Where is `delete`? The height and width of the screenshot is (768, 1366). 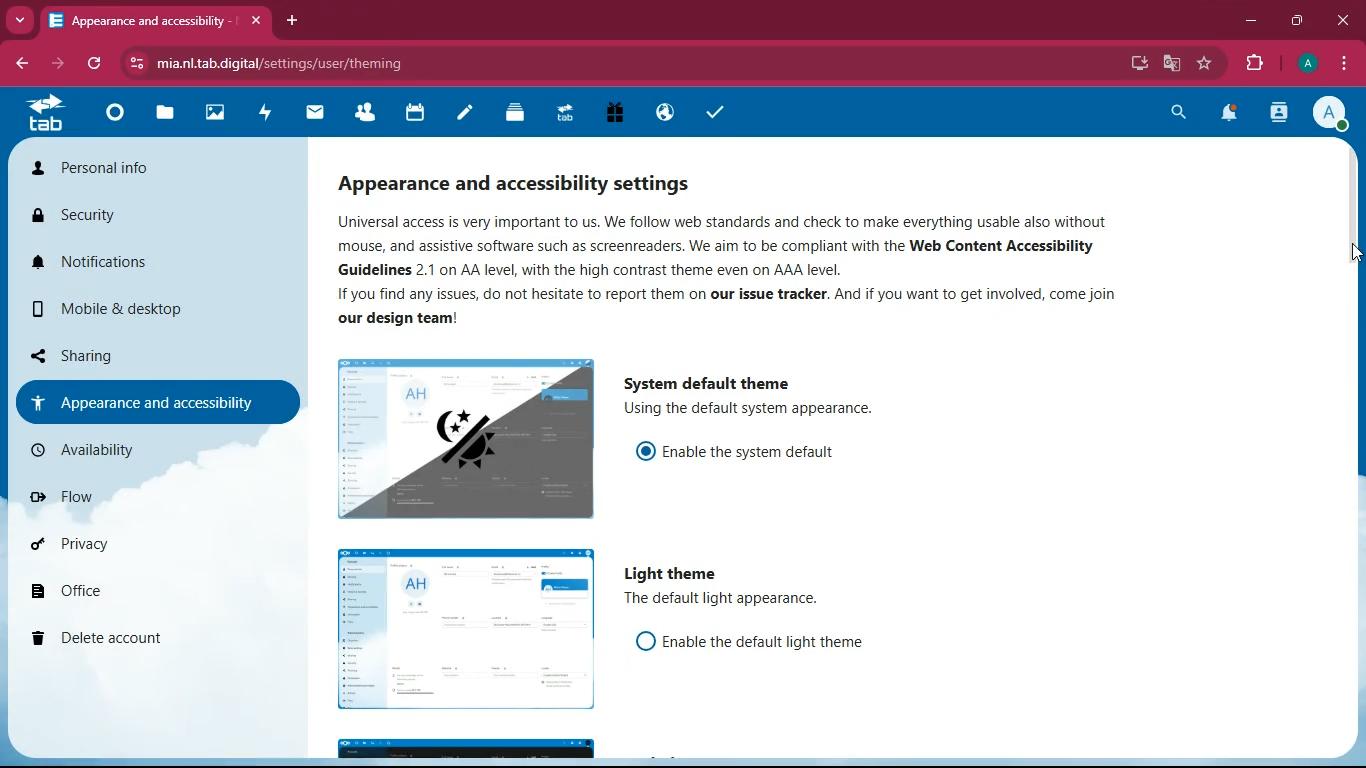
delete is located at coordinates (117, 635).